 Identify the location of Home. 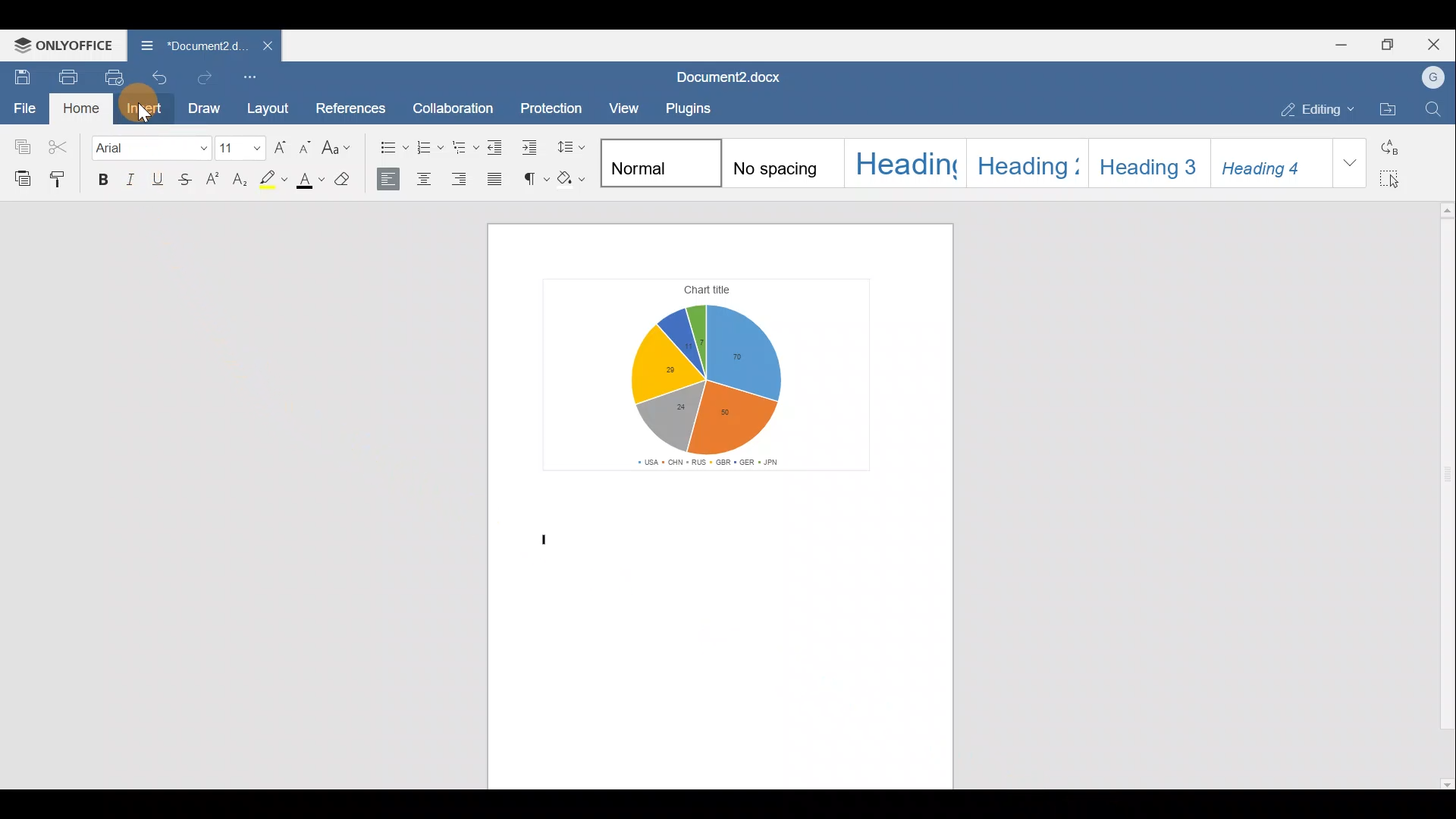
(79, 108).